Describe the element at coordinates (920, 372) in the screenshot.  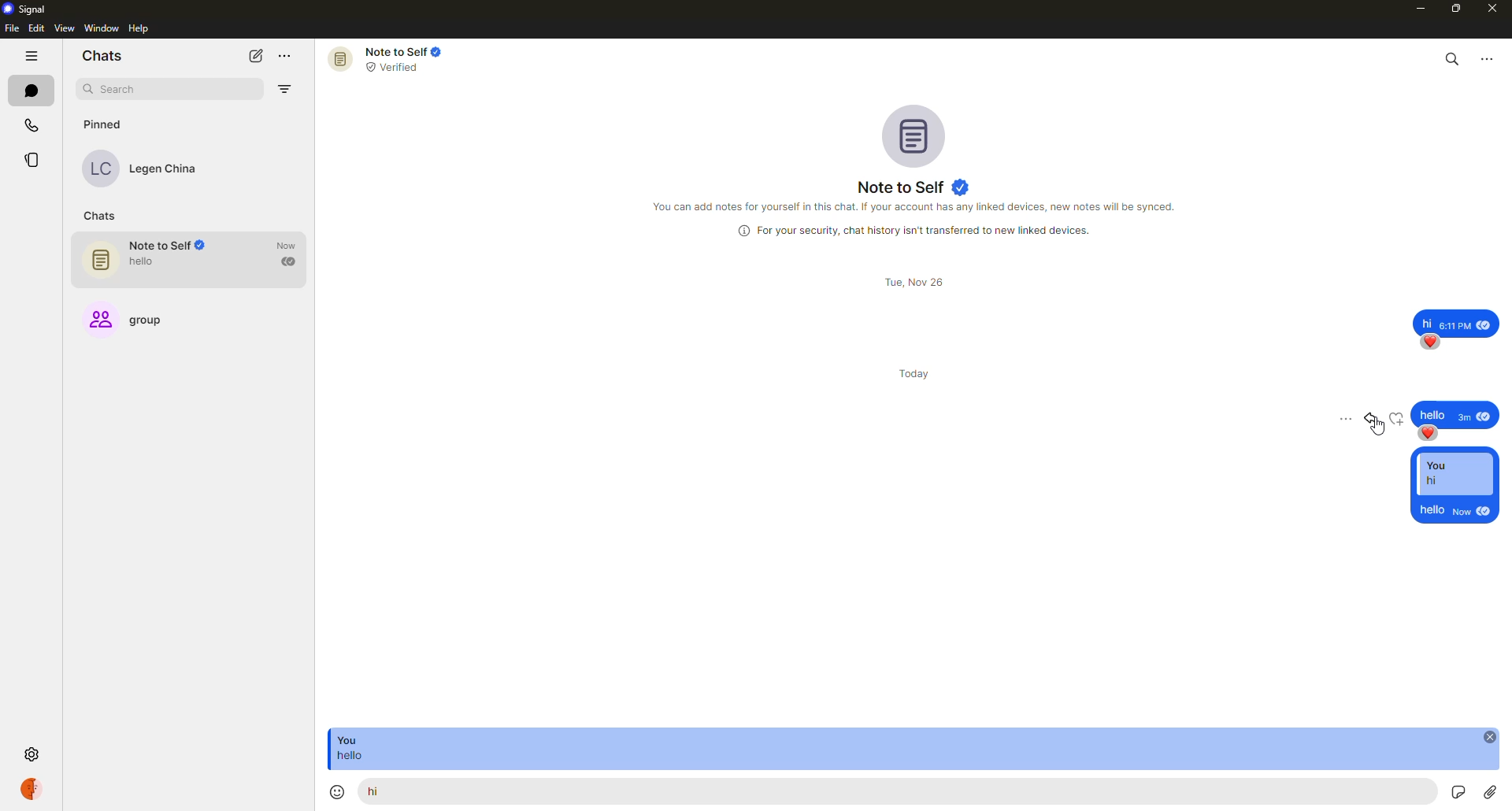
I see `day` at that location.